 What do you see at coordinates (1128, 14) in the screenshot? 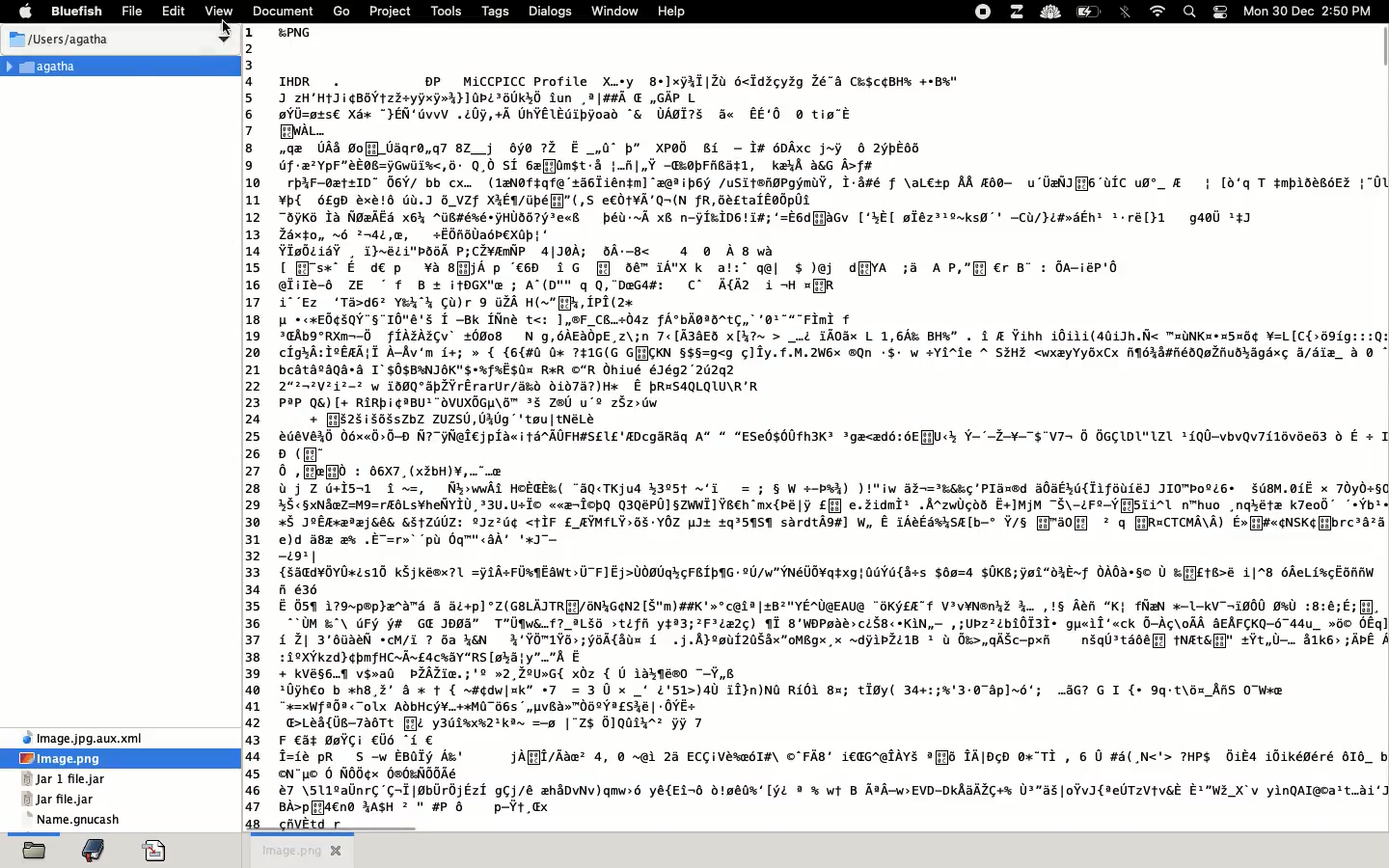
I see `bluetooth` at bounding box center [1128, 14].